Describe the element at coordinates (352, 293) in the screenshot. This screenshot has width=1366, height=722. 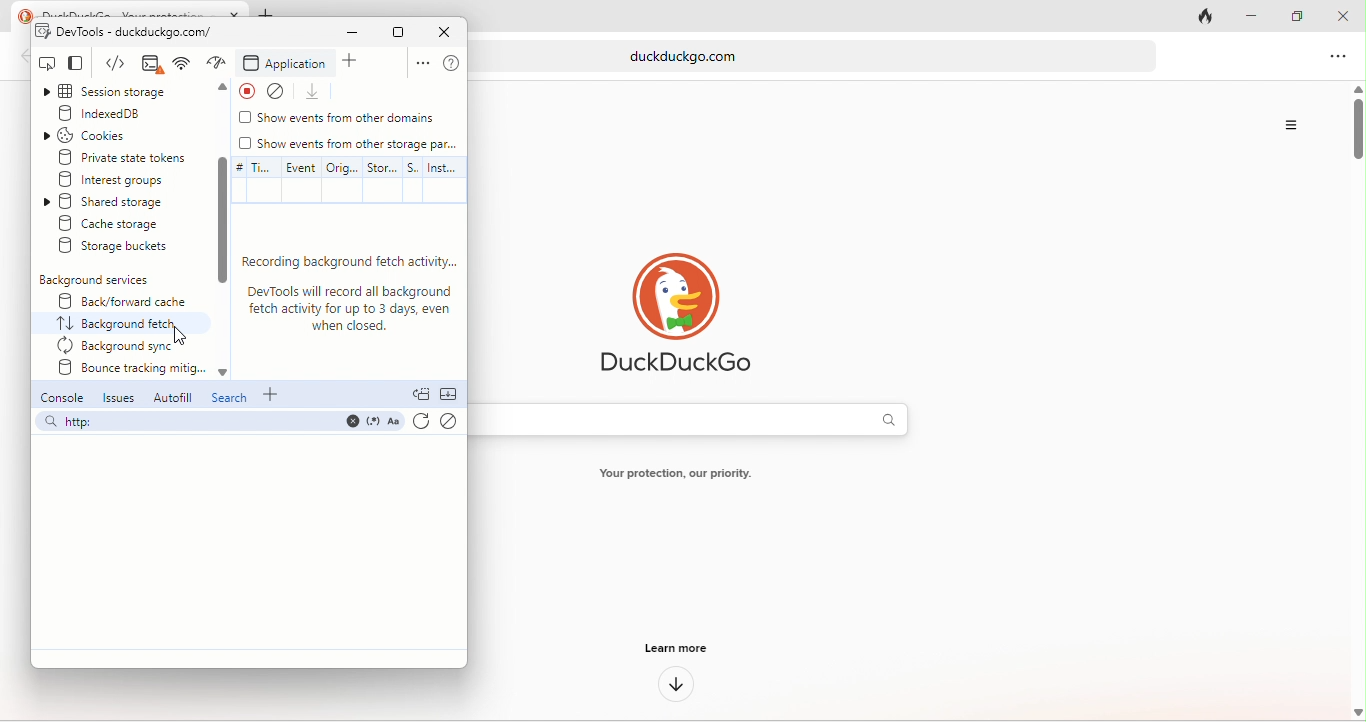
I see `Enabled background downloads.` at that location.